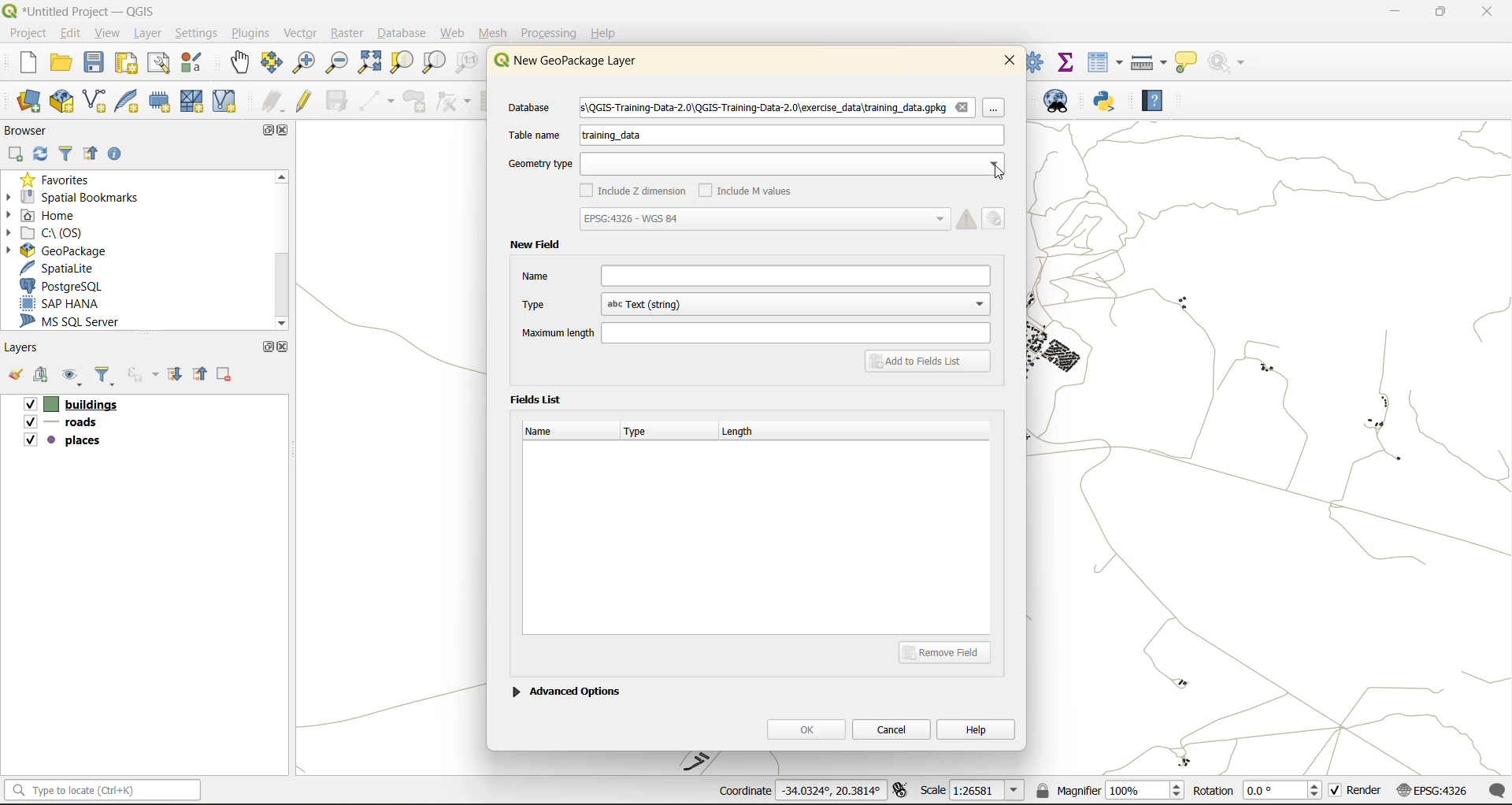 This screenshot has width=1512, height=805. I want to click on close, so click(283, 347).